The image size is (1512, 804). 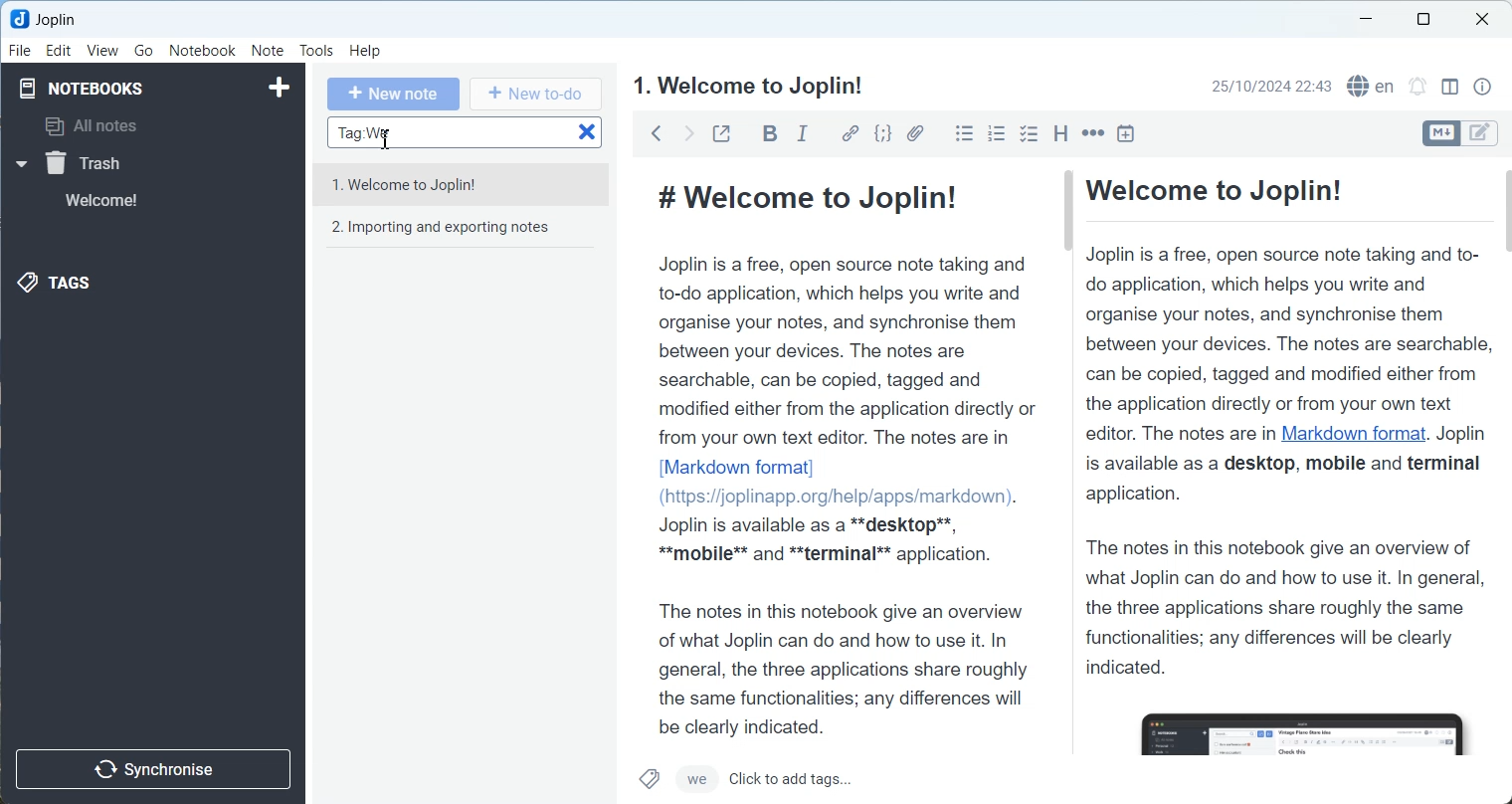 I want to click on Toggle external editing, so click(x=721, y=132).